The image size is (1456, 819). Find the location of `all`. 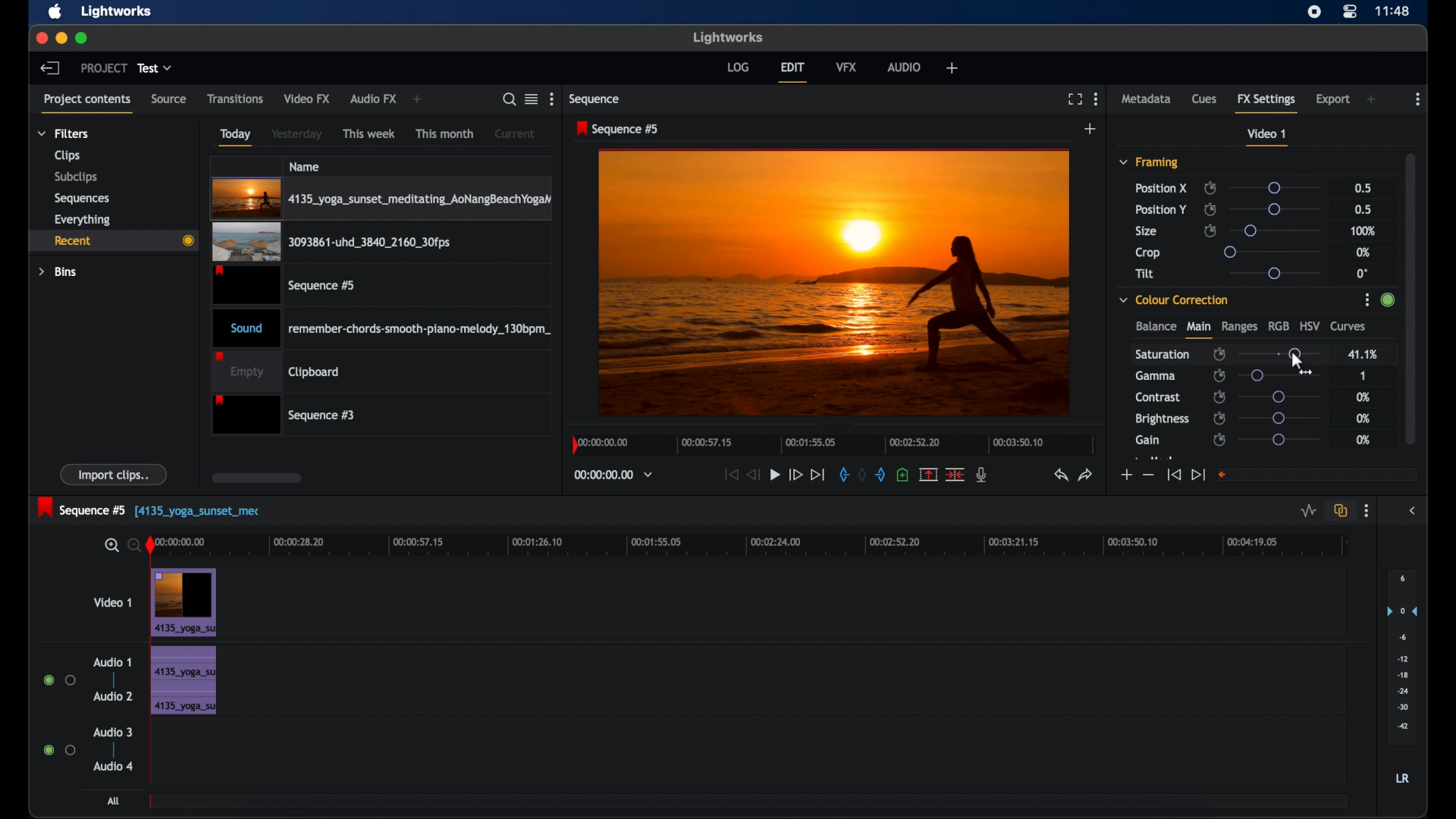

all is located at coordinates (114, 801).